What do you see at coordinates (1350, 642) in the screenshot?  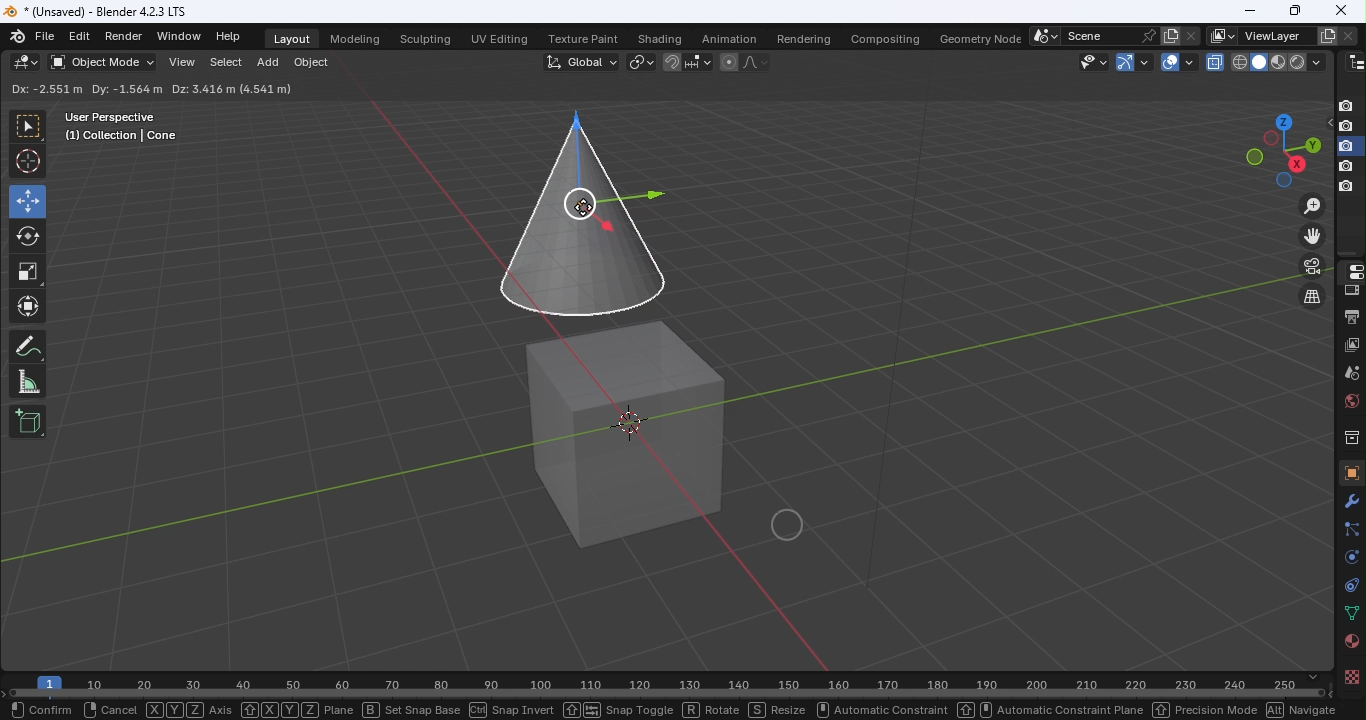 I see `Material` at bounding box center [1350, 642].